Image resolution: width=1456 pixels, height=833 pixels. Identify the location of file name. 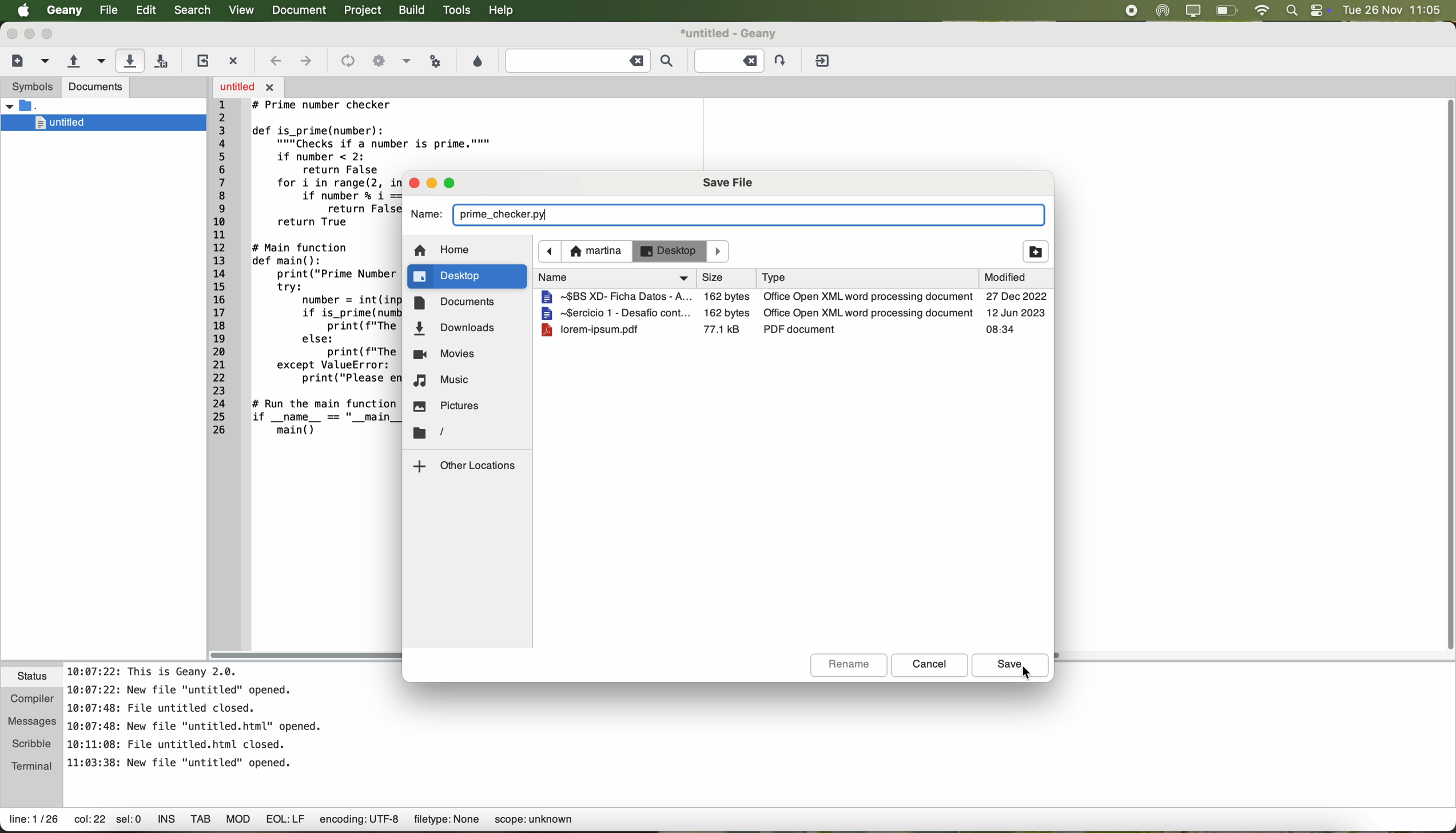
(729, 33).